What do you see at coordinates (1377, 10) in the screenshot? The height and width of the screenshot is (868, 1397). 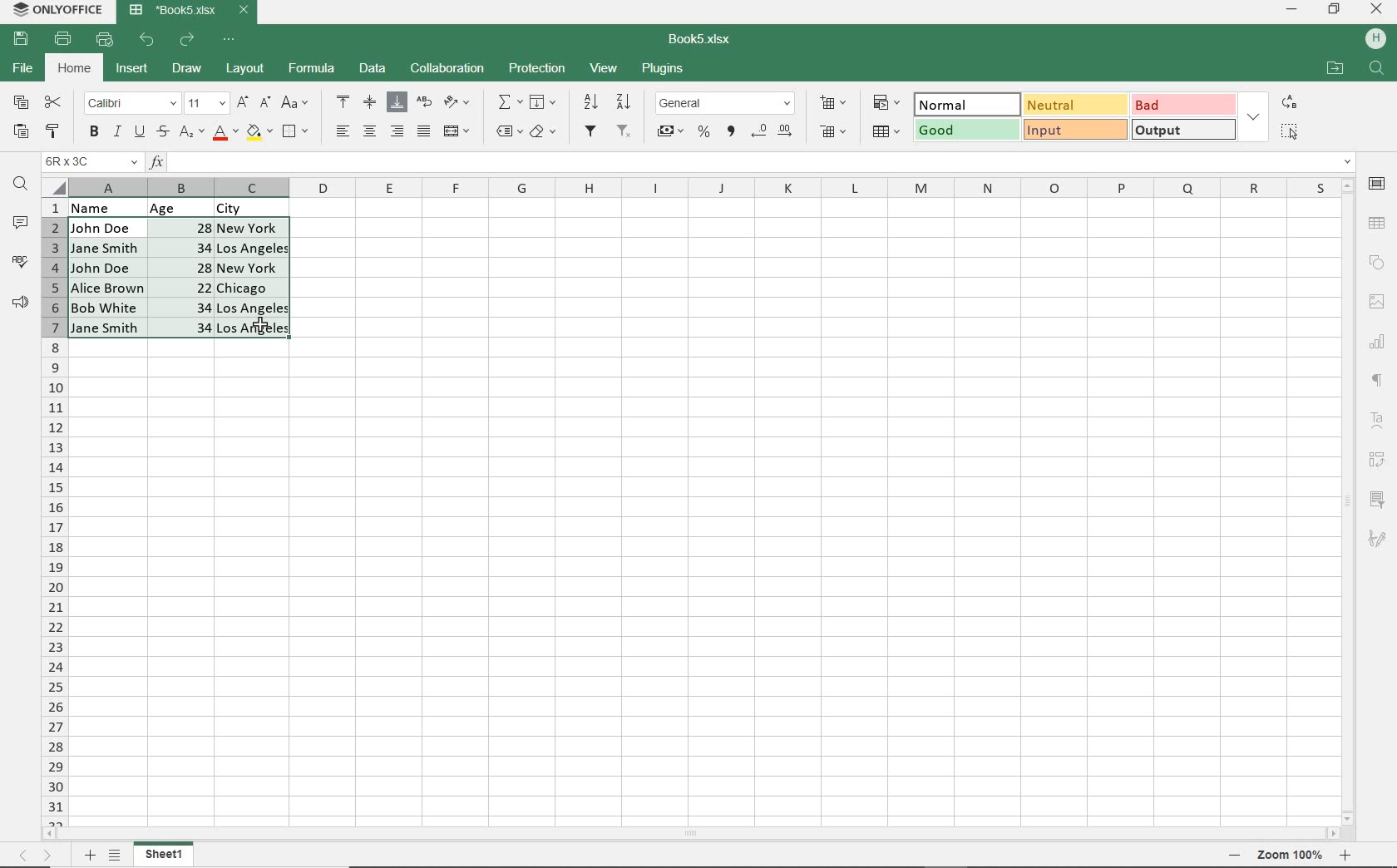 I see `CLOSE` at bounding box center [1377, 10].